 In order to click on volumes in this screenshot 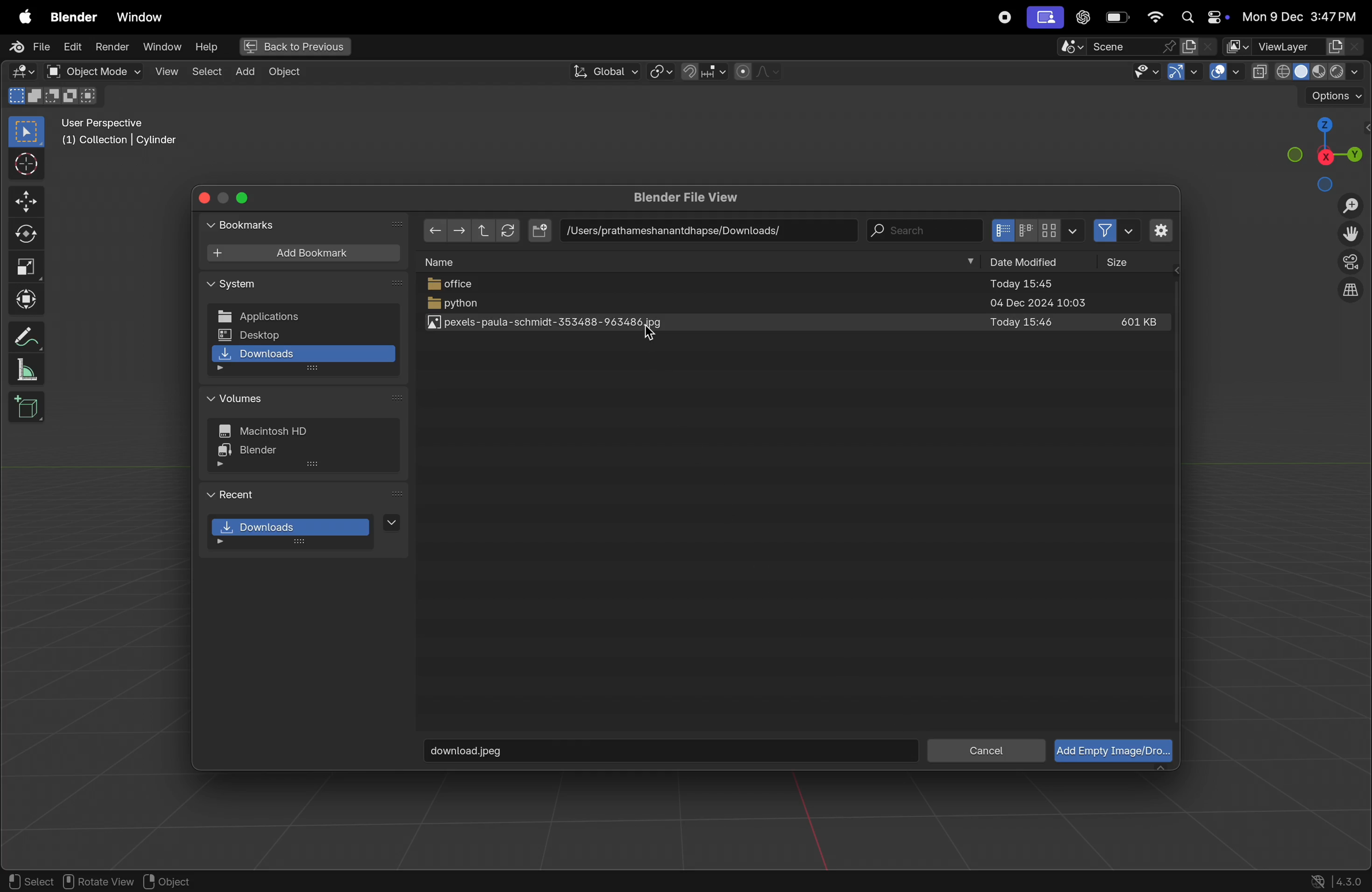, I will do `click(244, 399)`.